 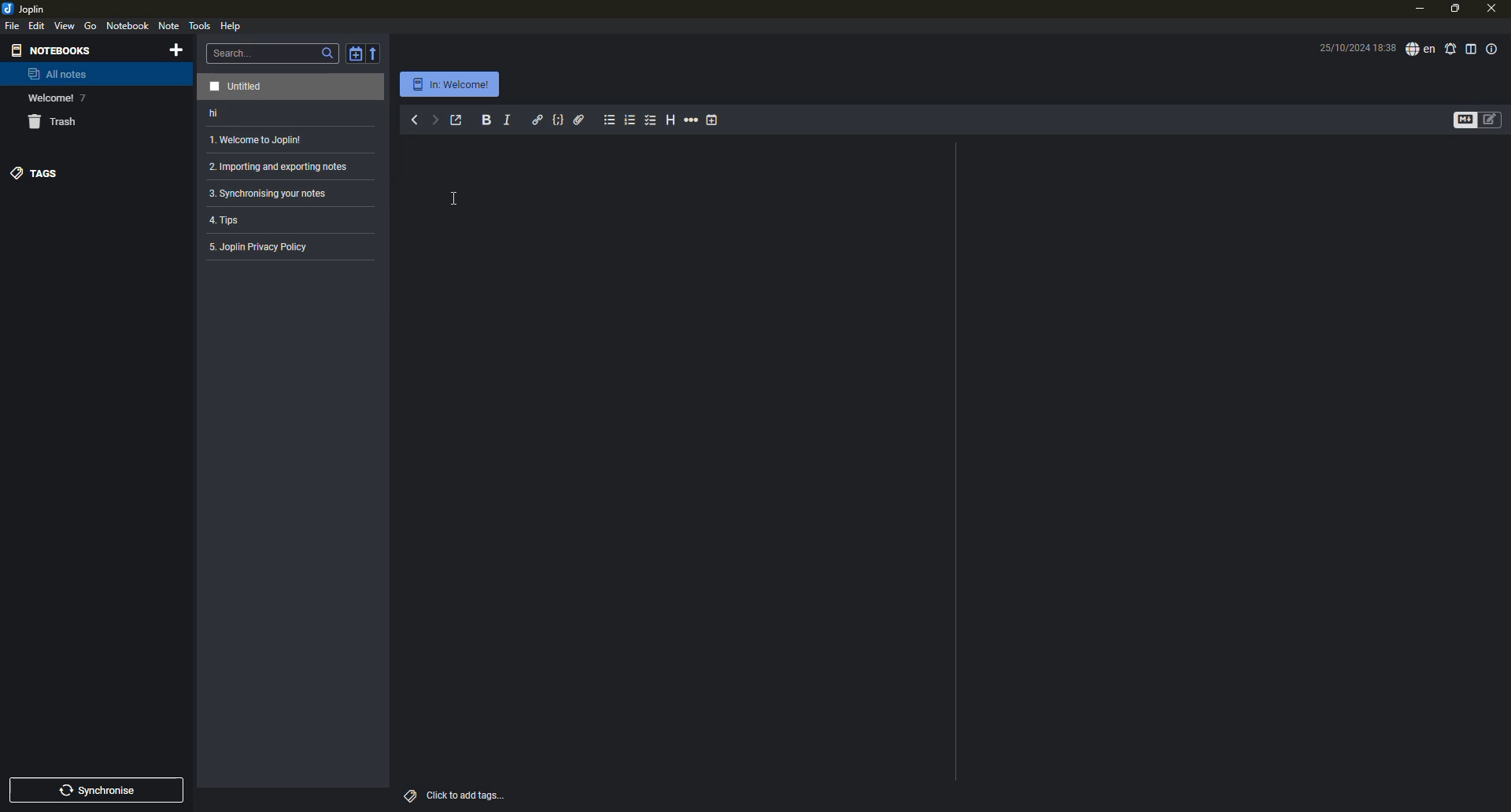 What do you see at coordinates (27, 8) in the screenshot?
I see `joplin` at bounding box center [27, 8].